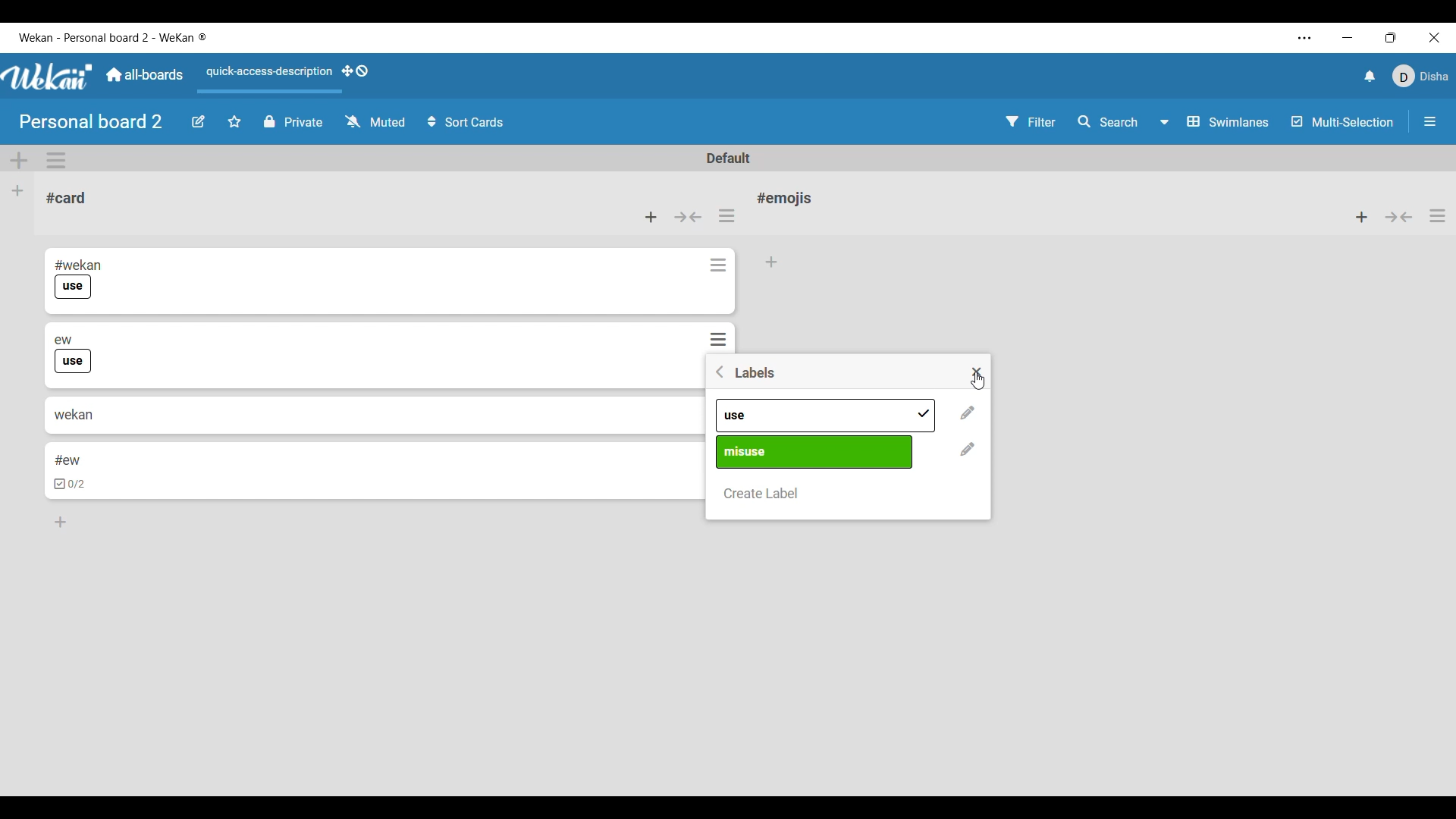  What do you see at coordinates (267, 72) in the screenshot?
I see `Quick access description` at bounding box center [267, 72].